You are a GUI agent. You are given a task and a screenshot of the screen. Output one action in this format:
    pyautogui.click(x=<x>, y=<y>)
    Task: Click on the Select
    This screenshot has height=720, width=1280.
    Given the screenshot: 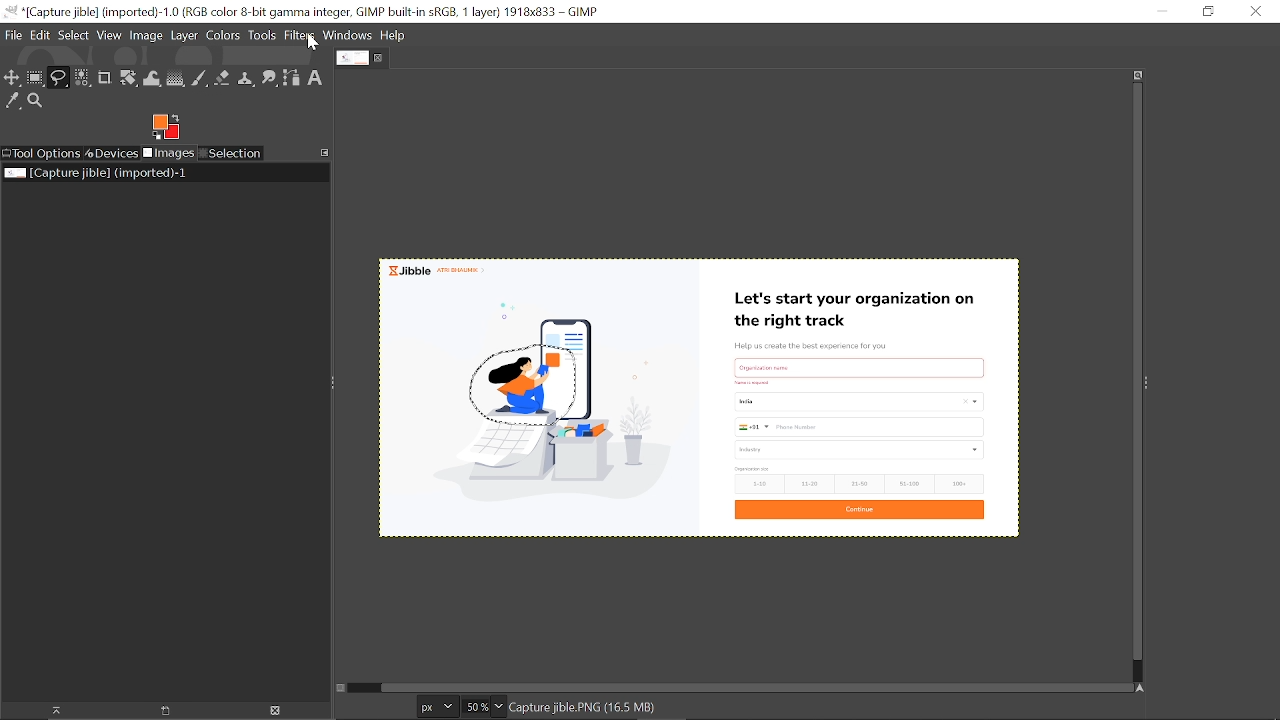 What is the action you would take?
    pyautogui.click(x=74, y=35)
    